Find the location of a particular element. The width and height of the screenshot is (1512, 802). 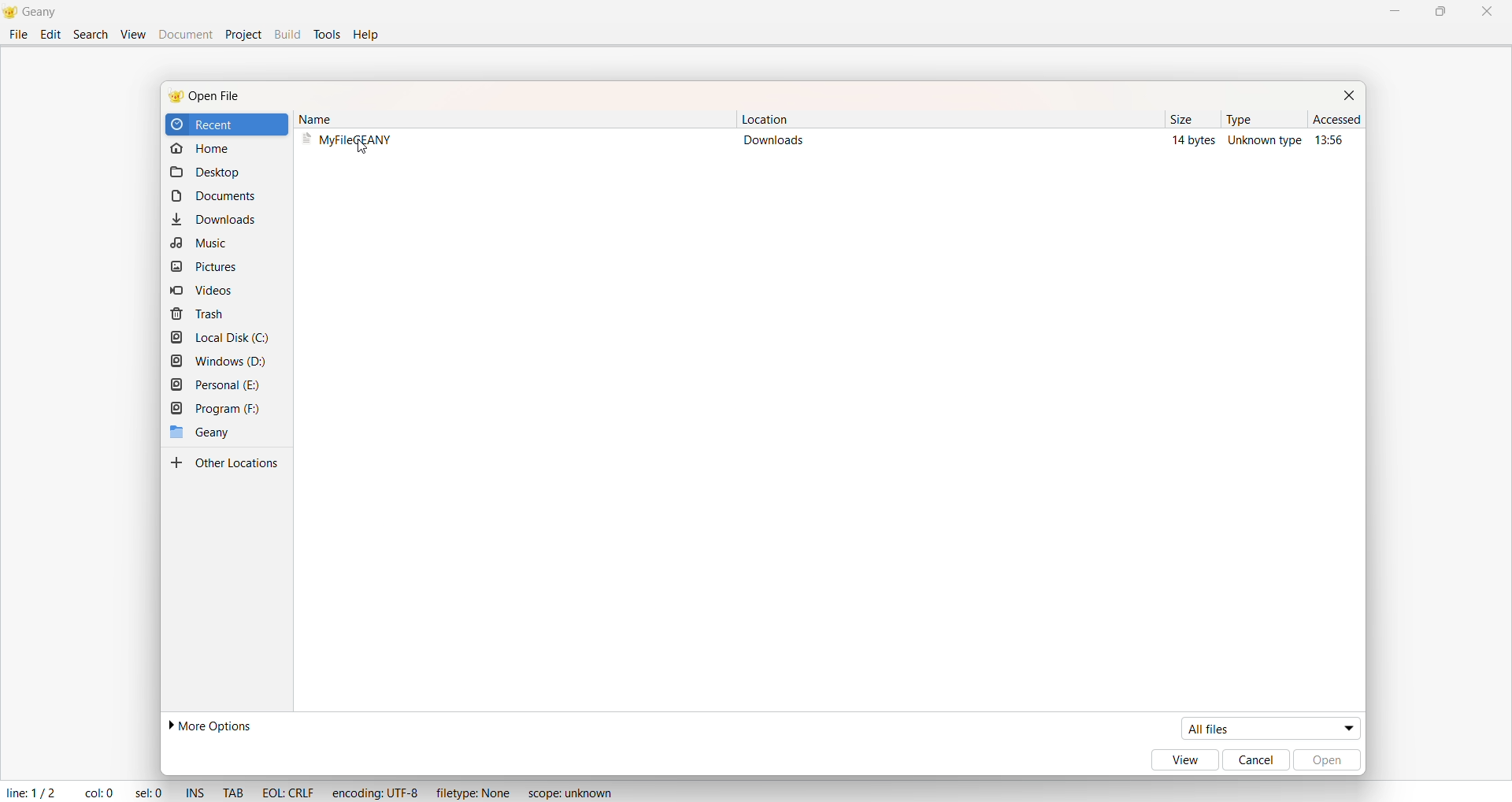

music is located at coordinates (202, 243).